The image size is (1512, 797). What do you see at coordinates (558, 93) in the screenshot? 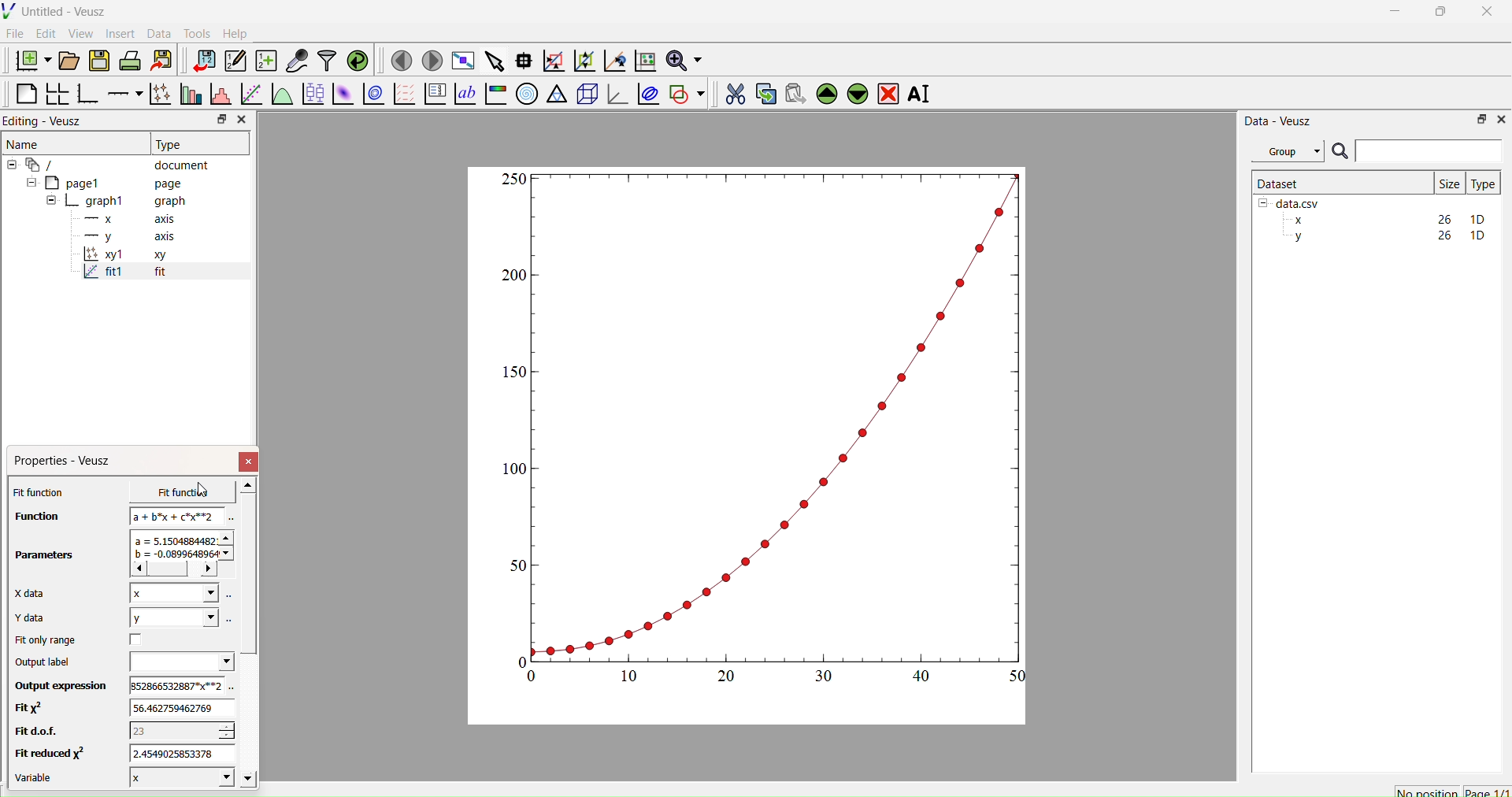
I see `Ternary graph` at bounding box center [558, 93].